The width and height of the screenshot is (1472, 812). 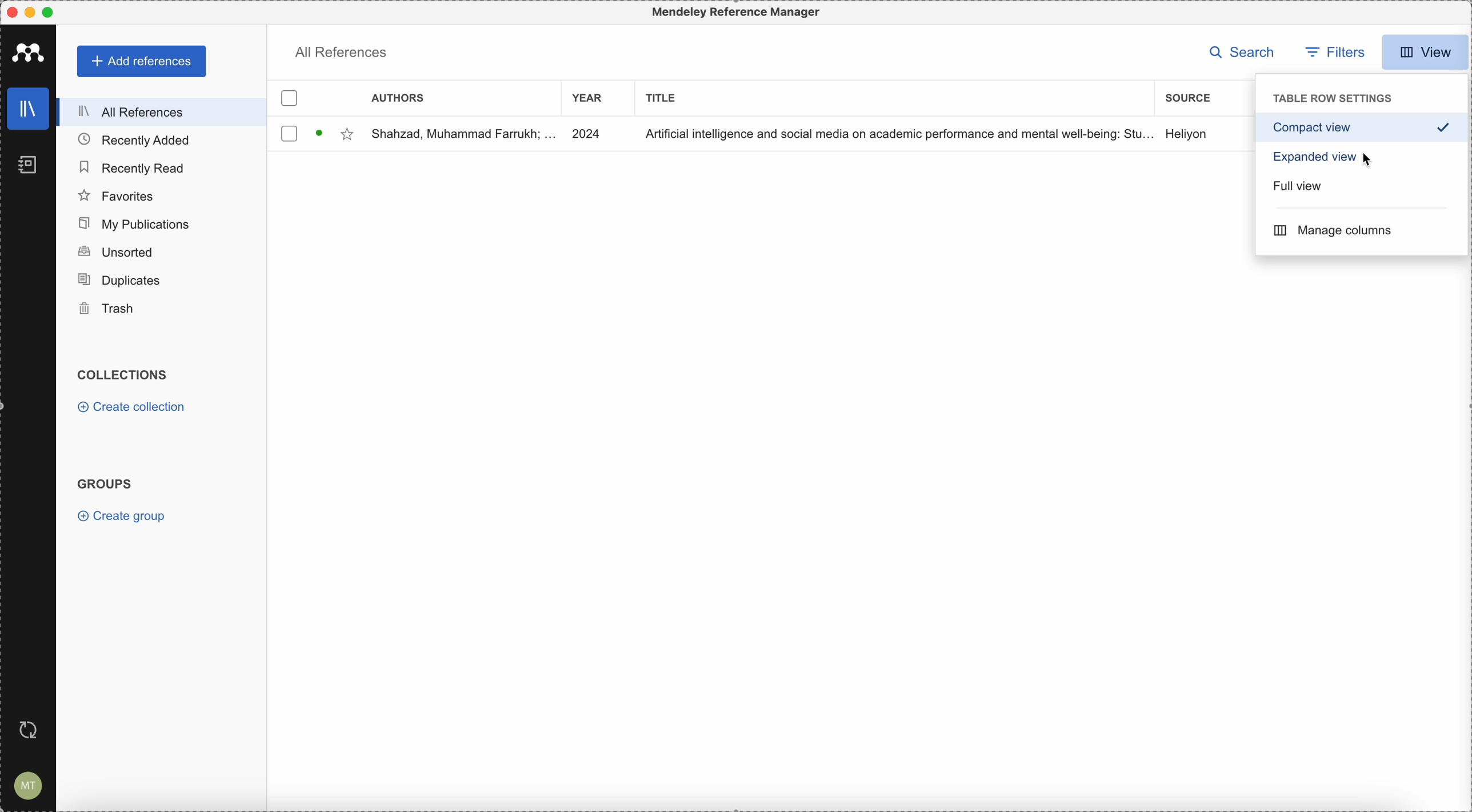 I want to click on checkbox, so click(x=288, y=133).